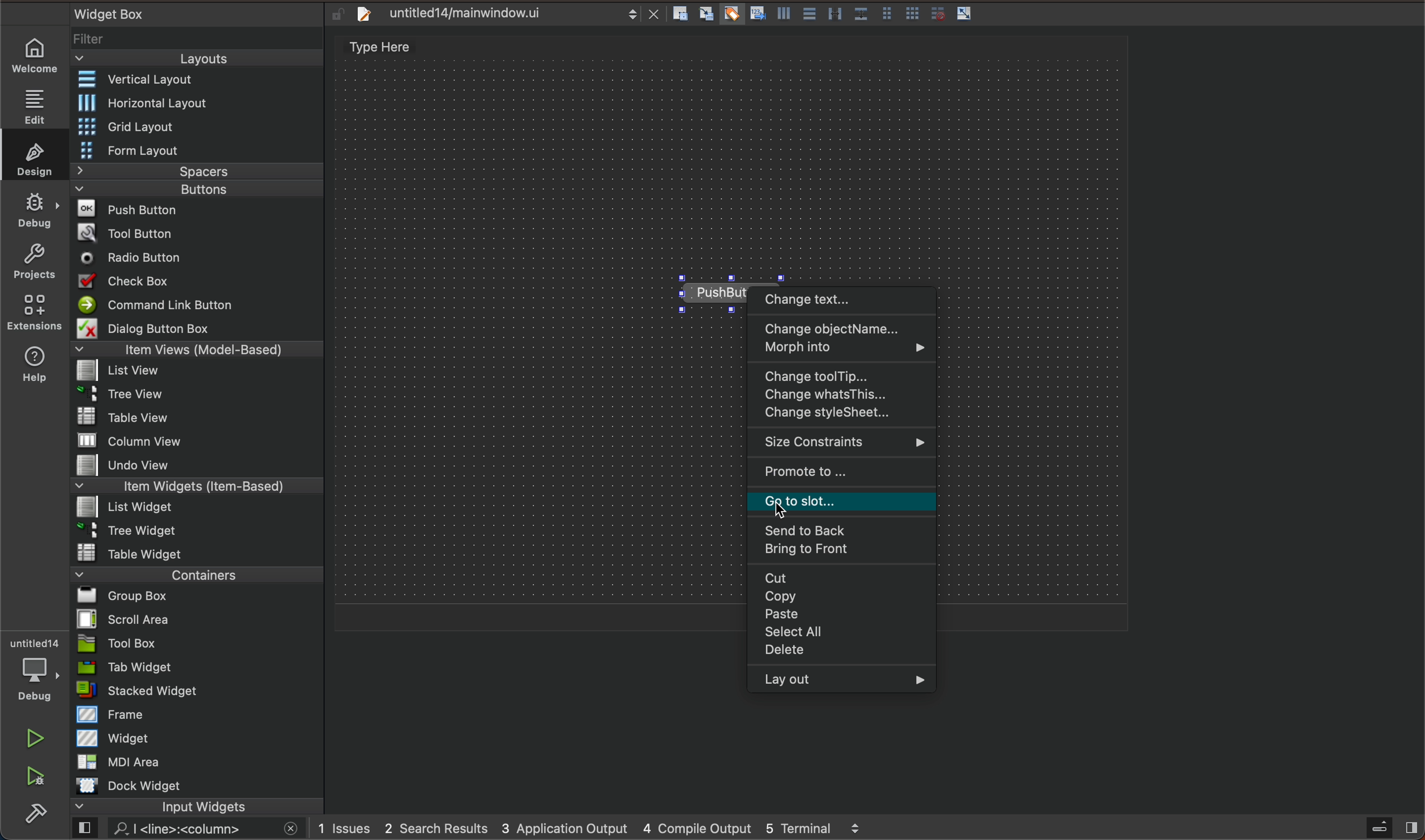 The image size is (1425, 840). I want to click on help, so click(33, 364).